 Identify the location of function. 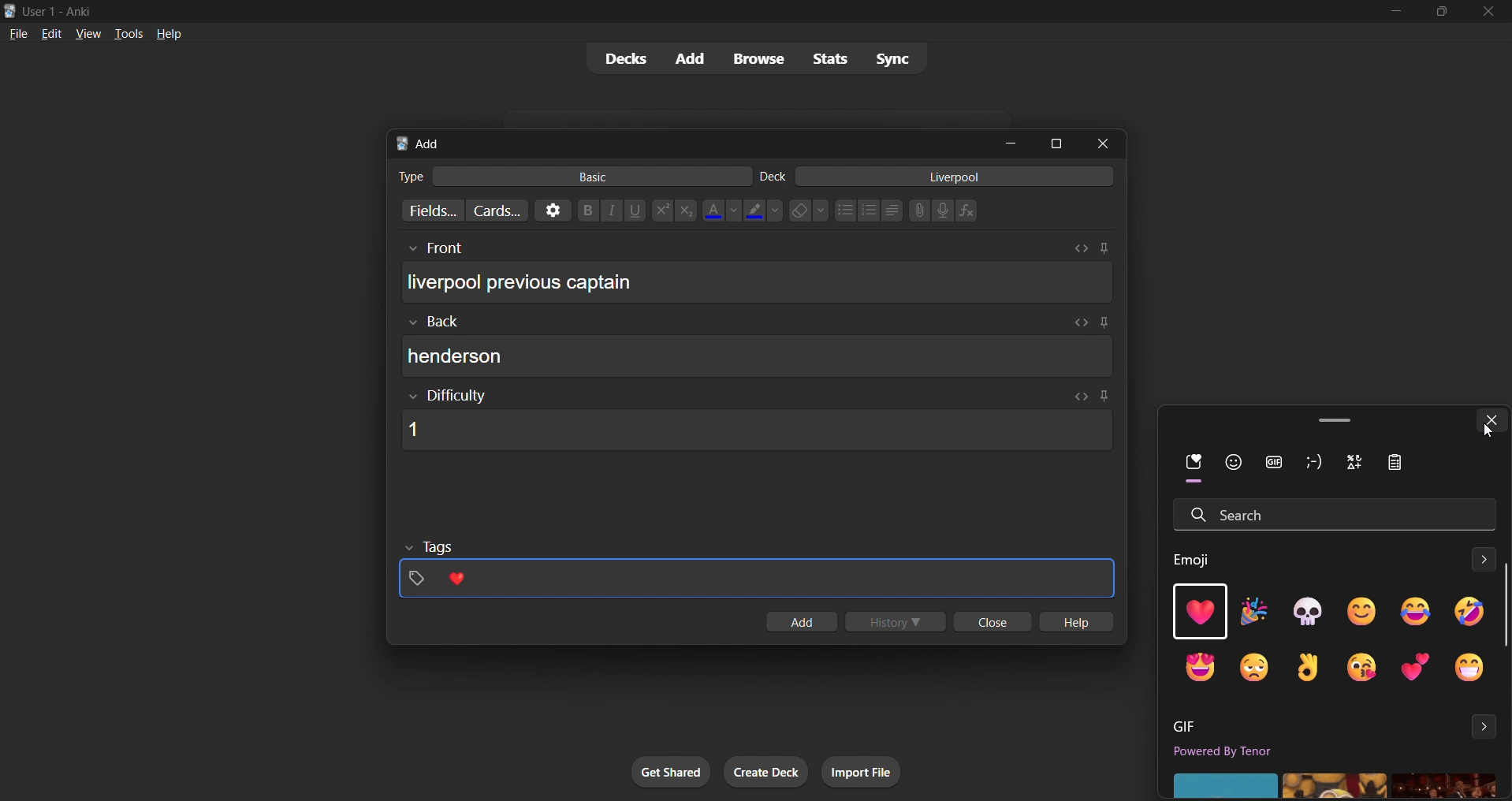
(972, 211).